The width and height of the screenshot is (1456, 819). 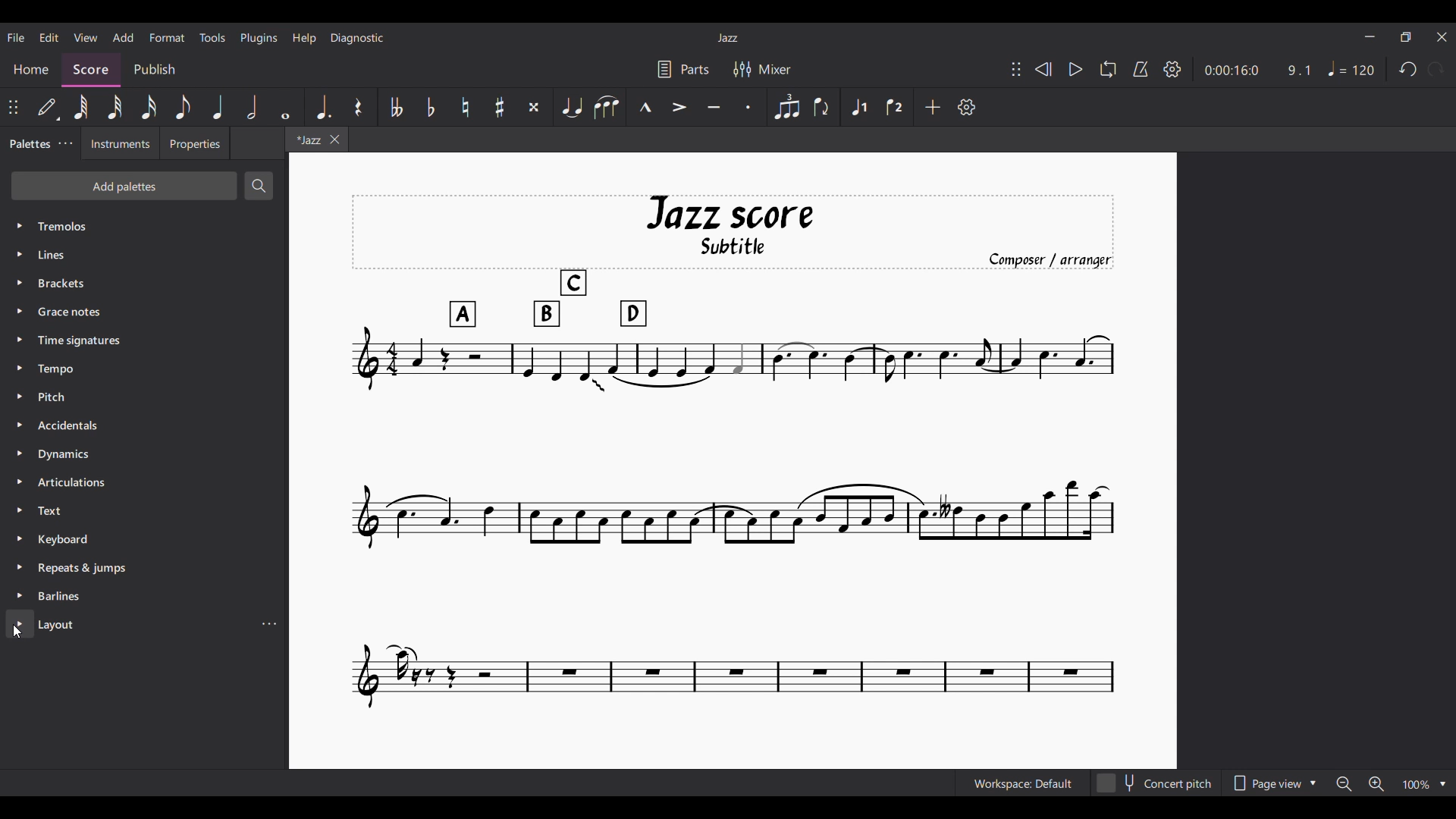 What do you see at coordinates (714, 107) in the screenshot?
I see `Tenuto` at bounding box center [714, 107].